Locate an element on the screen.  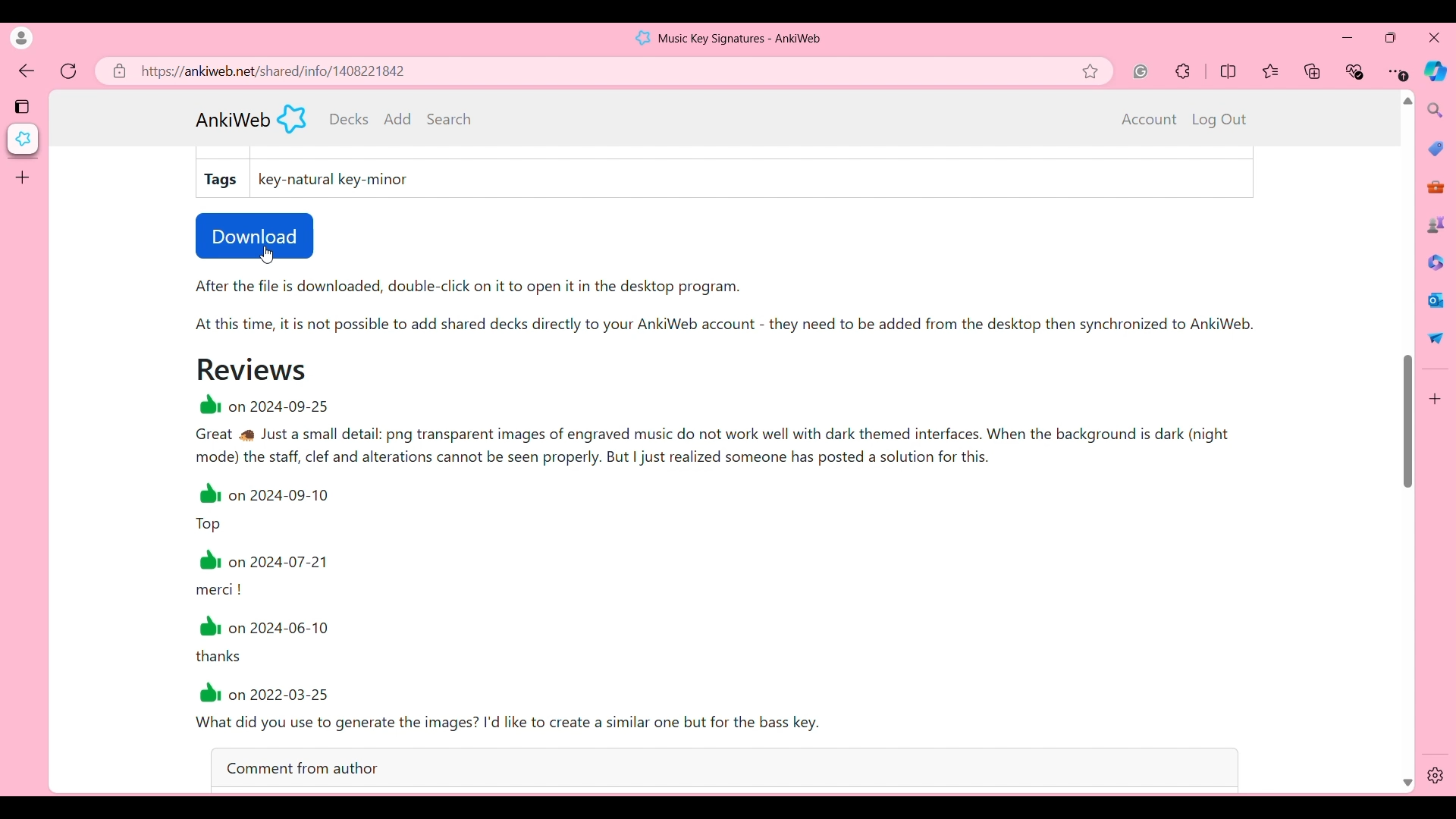
Music Key Signatures - AnkiWeb is located at coordinates (741, 39).